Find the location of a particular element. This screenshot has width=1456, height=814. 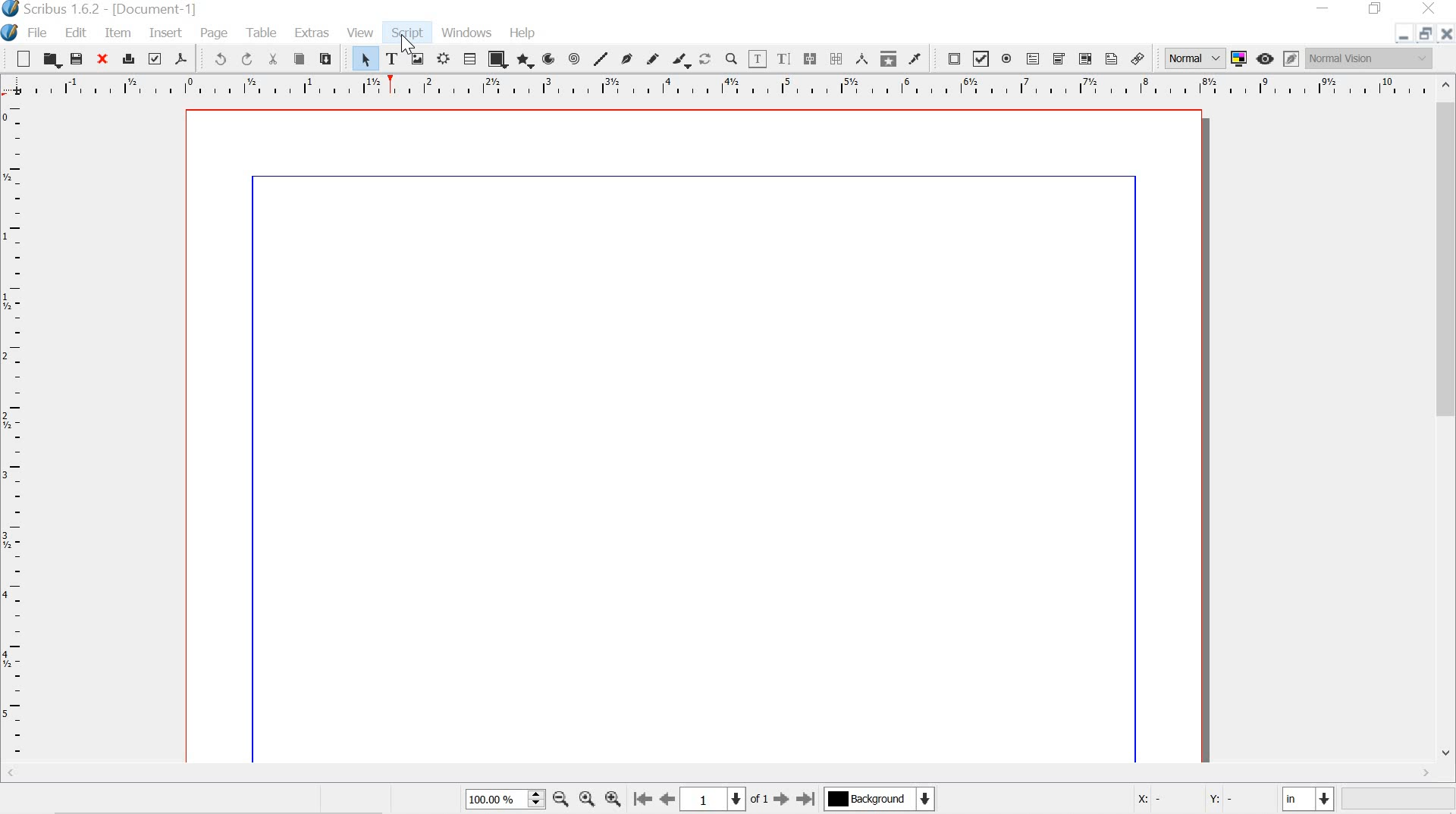

windows is located at coordinates (466, 32).